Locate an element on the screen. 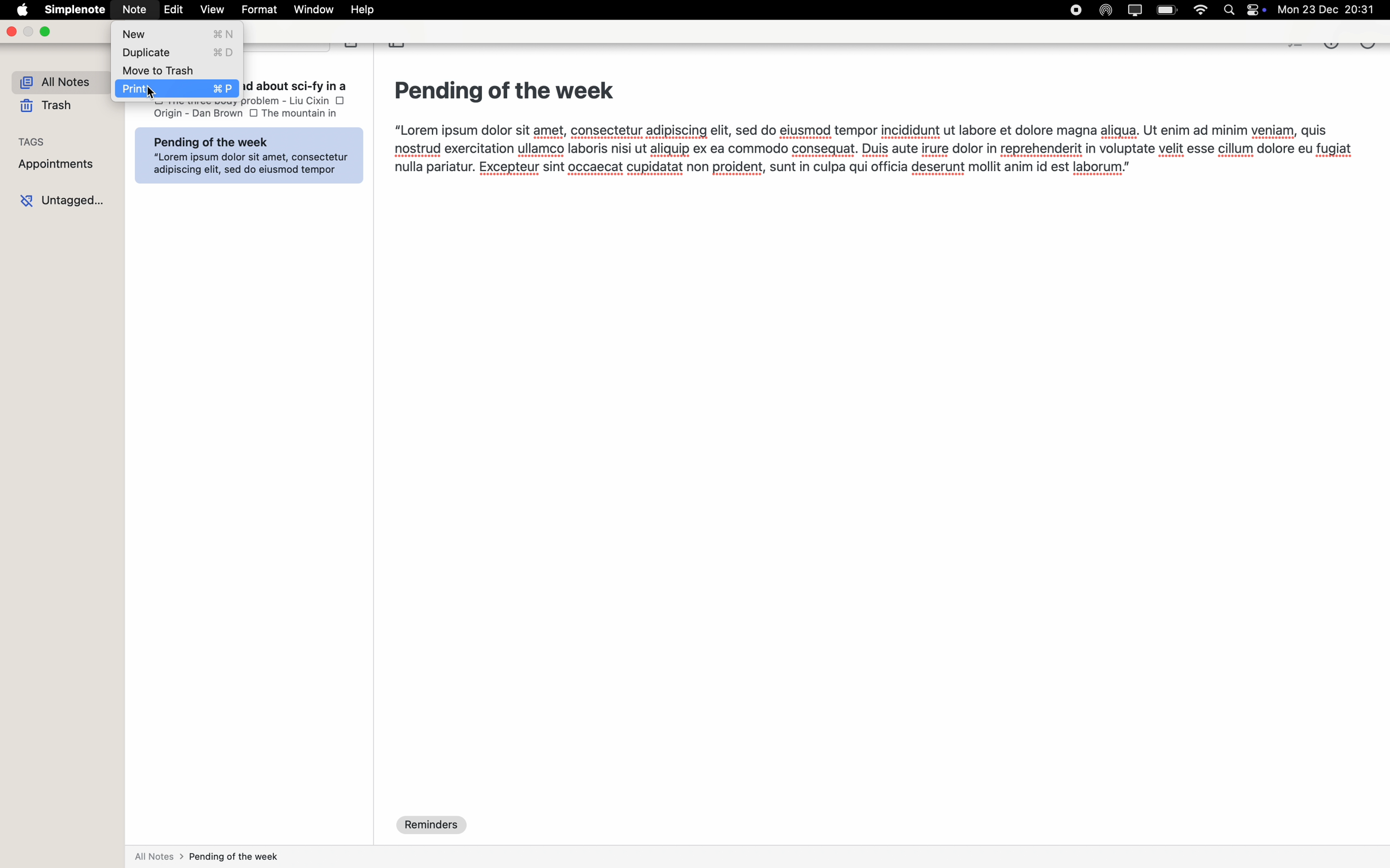 This screenshot has width=1390, height=868. toggle sidebar is located at coordinates (400, 48).